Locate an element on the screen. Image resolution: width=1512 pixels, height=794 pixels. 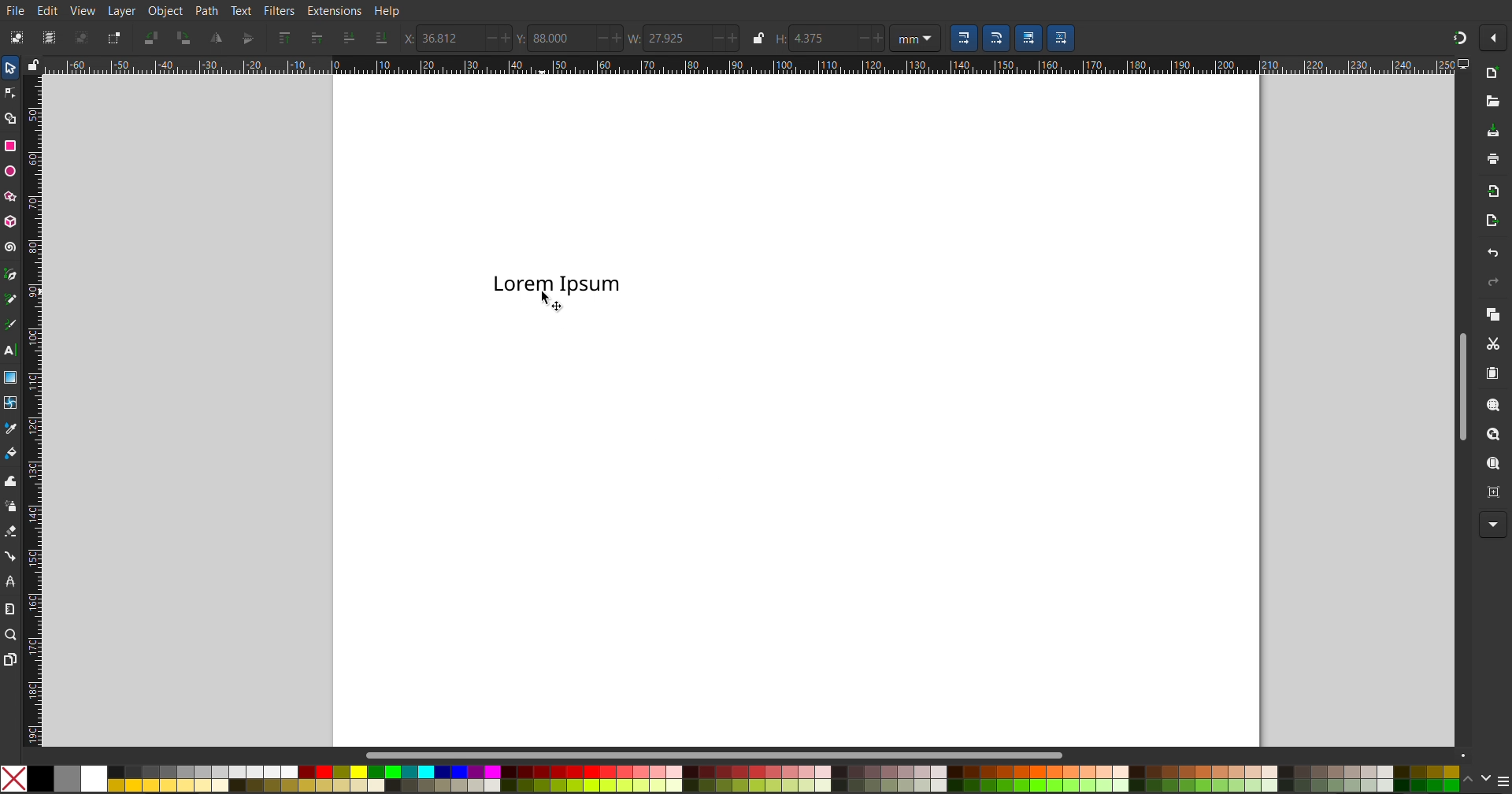
Lower selection one level is located at coordinates (347, 39).